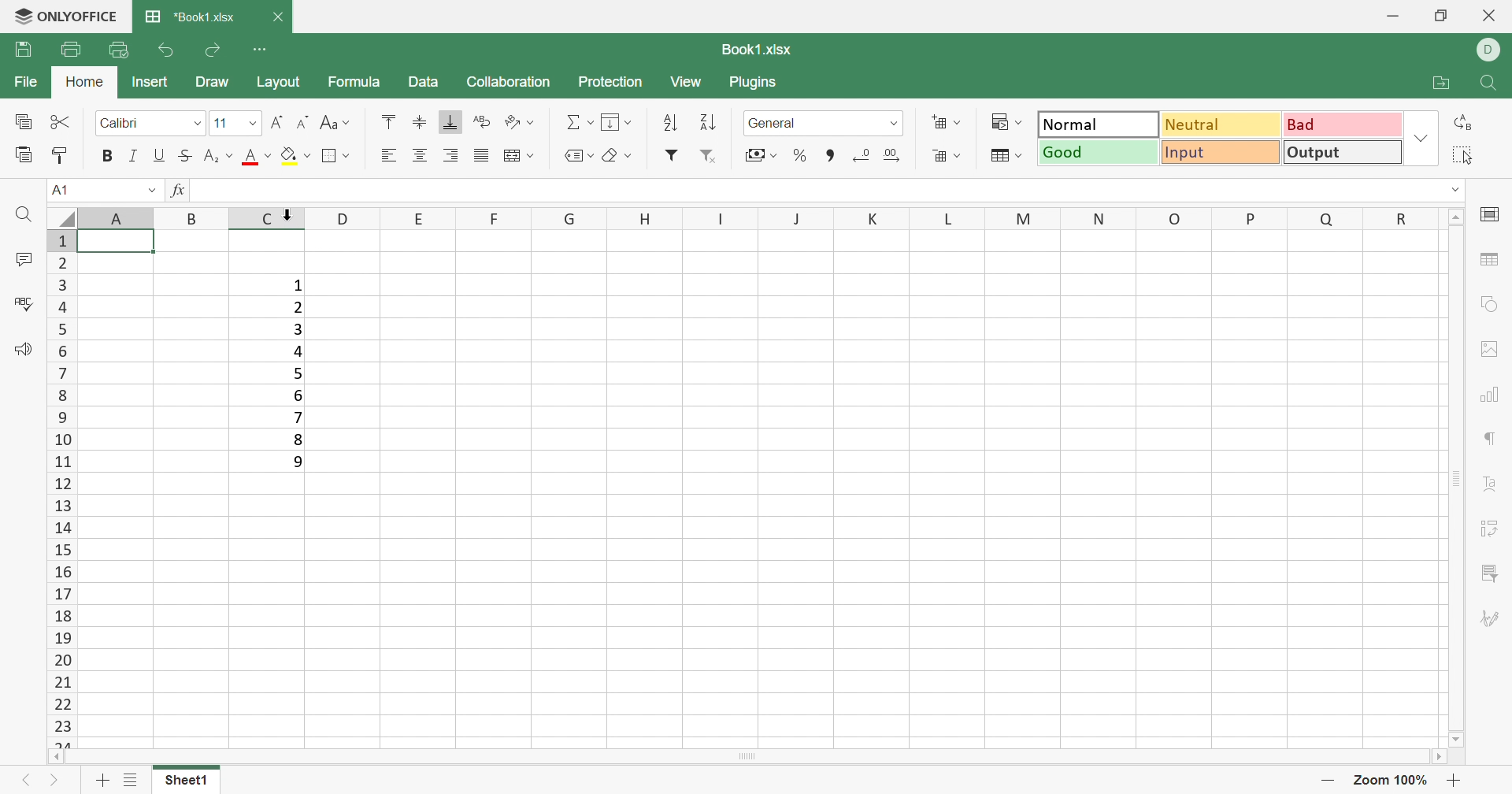 This screenshot has width=1512, height=794. What do you see at coordinates (268, 219) in the screenshot?
I see `C` at bounding box center [268, 219].